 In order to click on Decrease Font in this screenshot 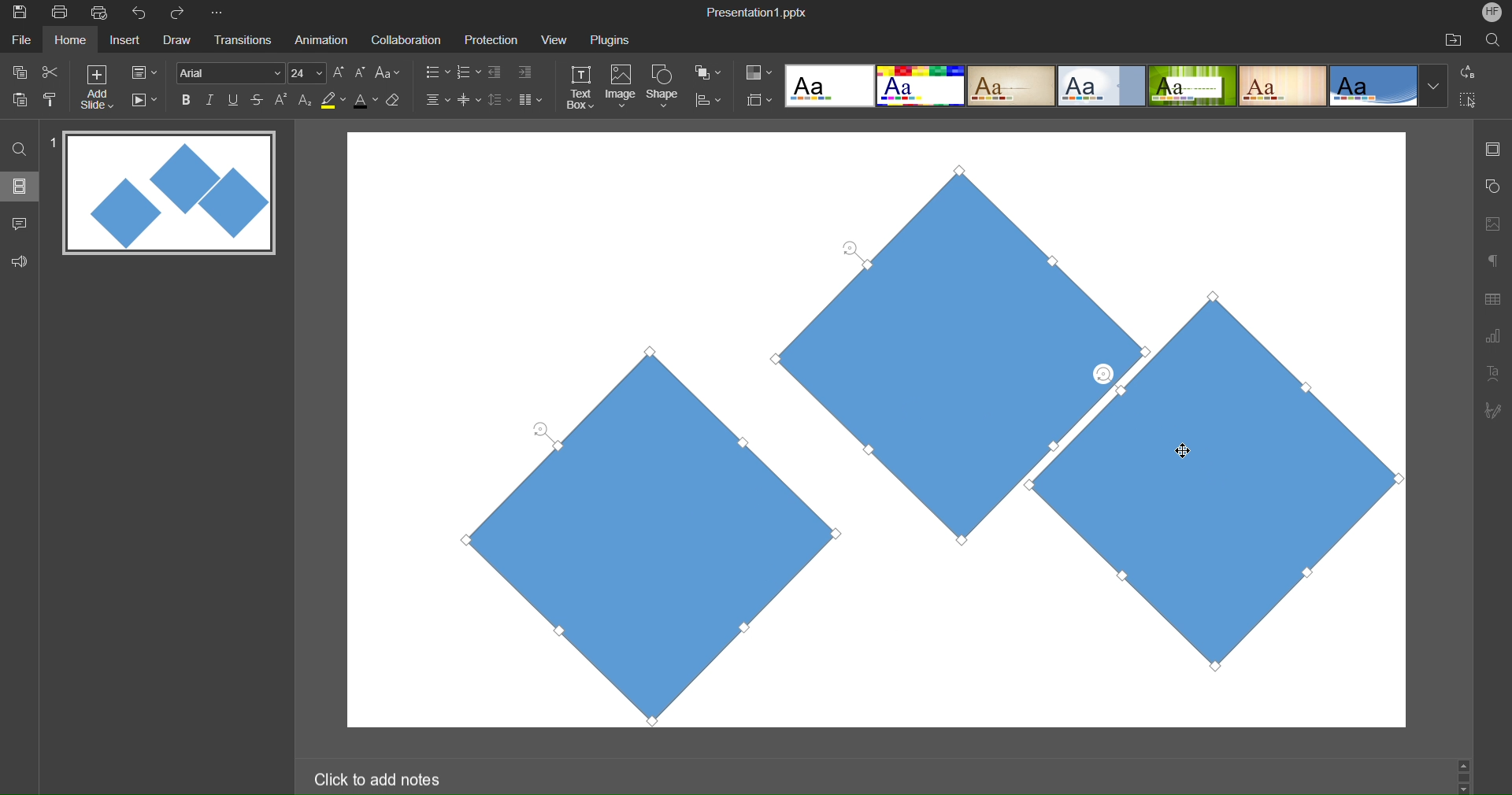, I will do `click(361, 72)`.